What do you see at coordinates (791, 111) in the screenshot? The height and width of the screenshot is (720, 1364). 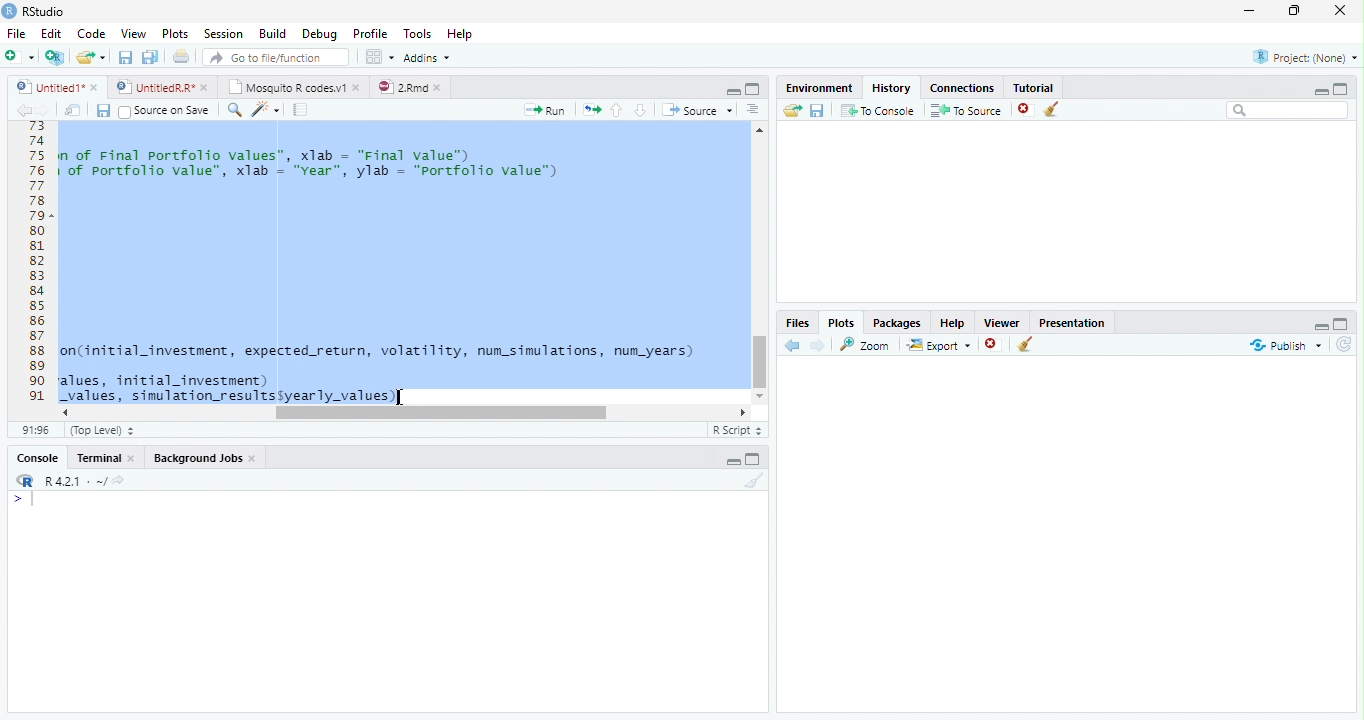 I see `Load history from an existing file` at bounding box center [791, 111].